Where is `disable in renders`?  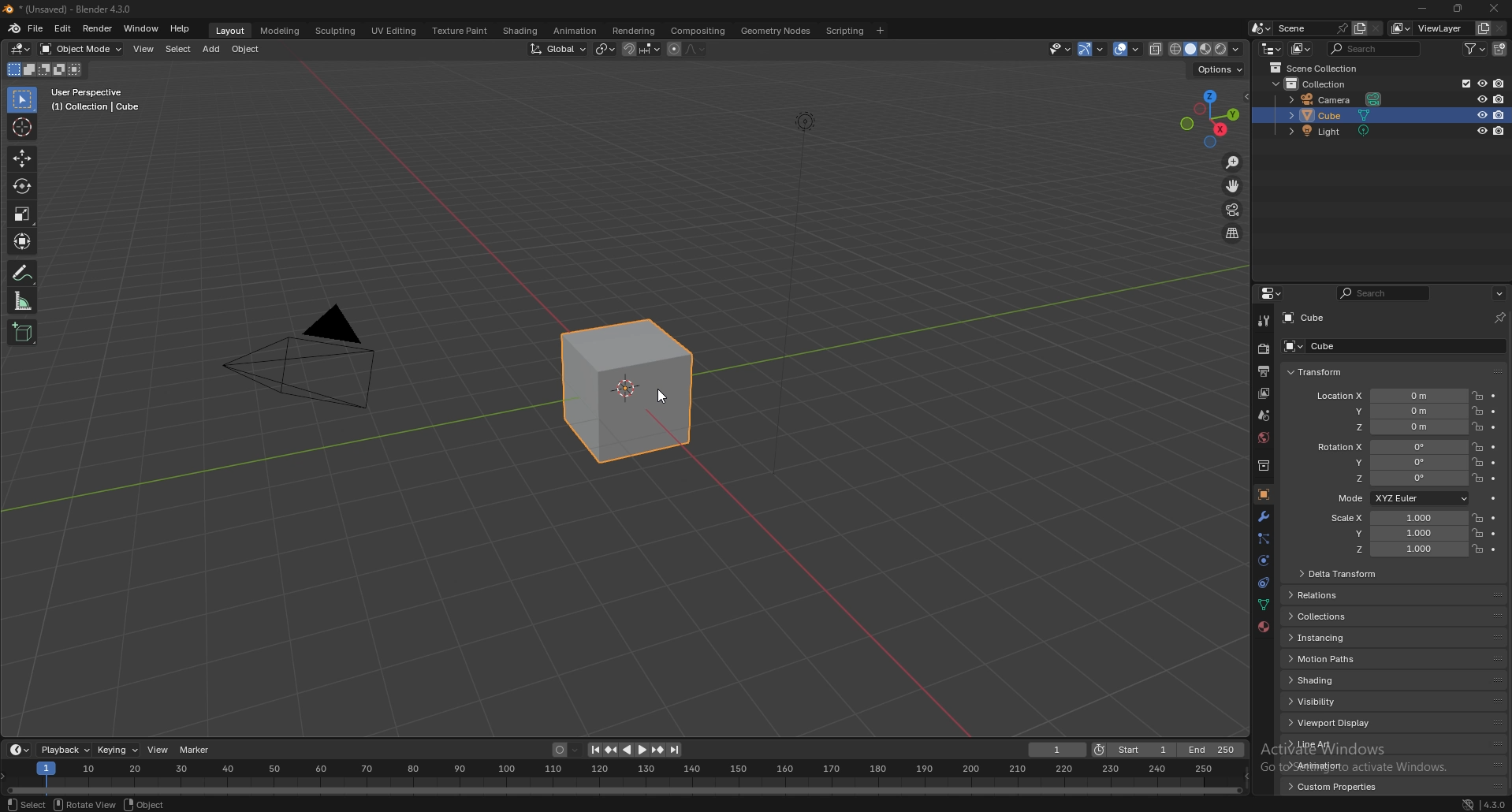 disable in renders is located at coordinates (1499, 130).